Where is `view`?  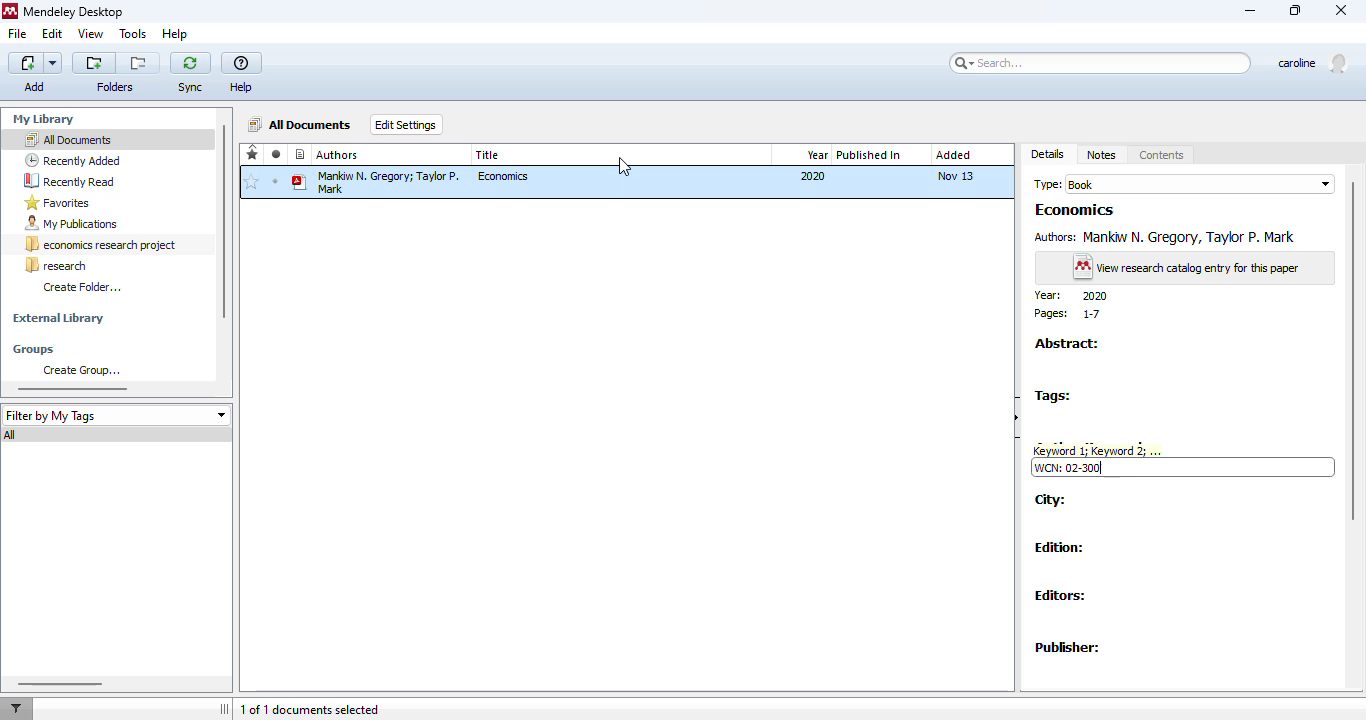 view is located at coordinates (92, 34).